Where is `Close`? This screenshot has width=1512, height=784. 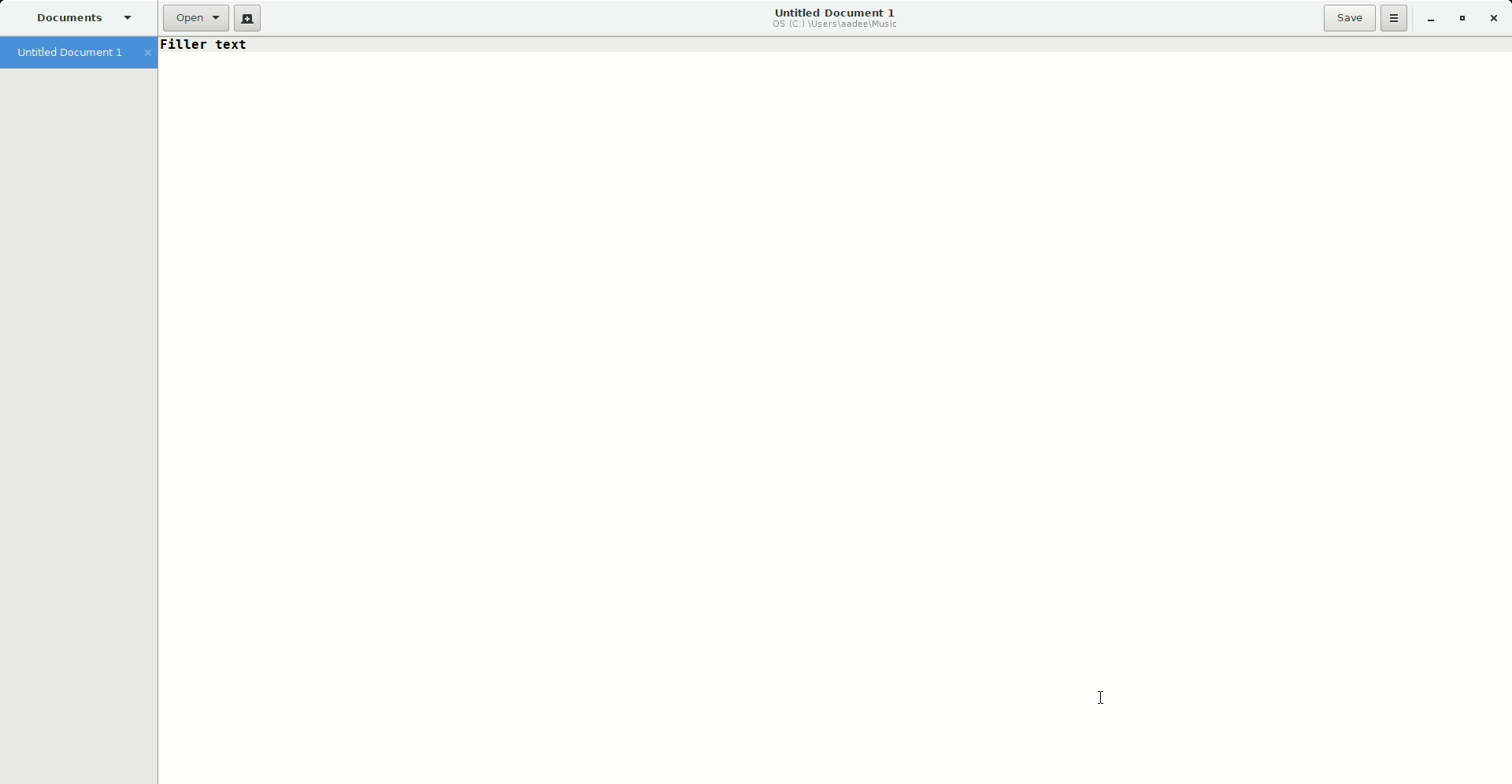
Close is located at coordinates (1497, 20).